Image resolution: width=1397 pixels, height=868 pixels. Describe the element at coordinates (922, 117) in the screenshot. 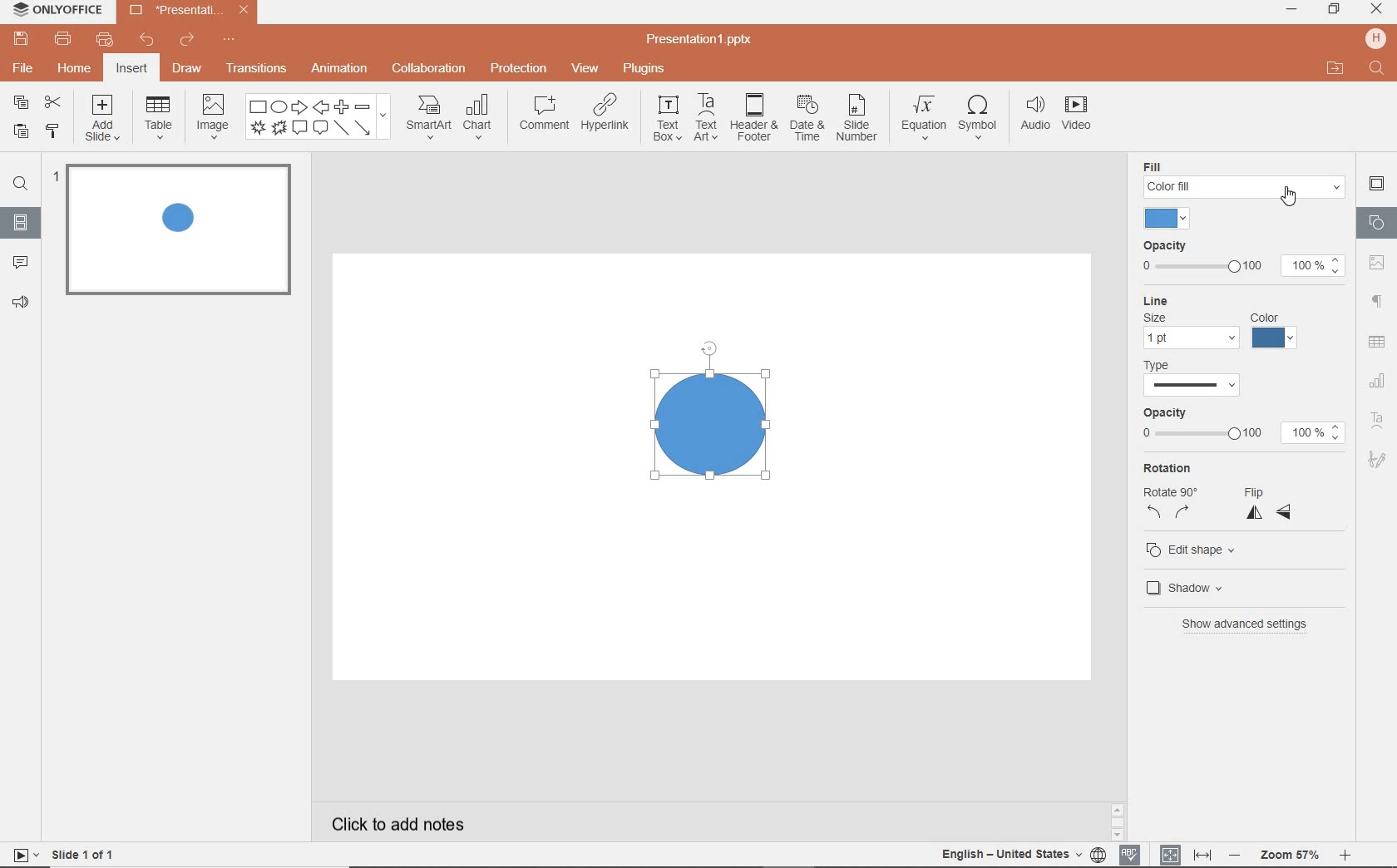

I see `equation` at that location.